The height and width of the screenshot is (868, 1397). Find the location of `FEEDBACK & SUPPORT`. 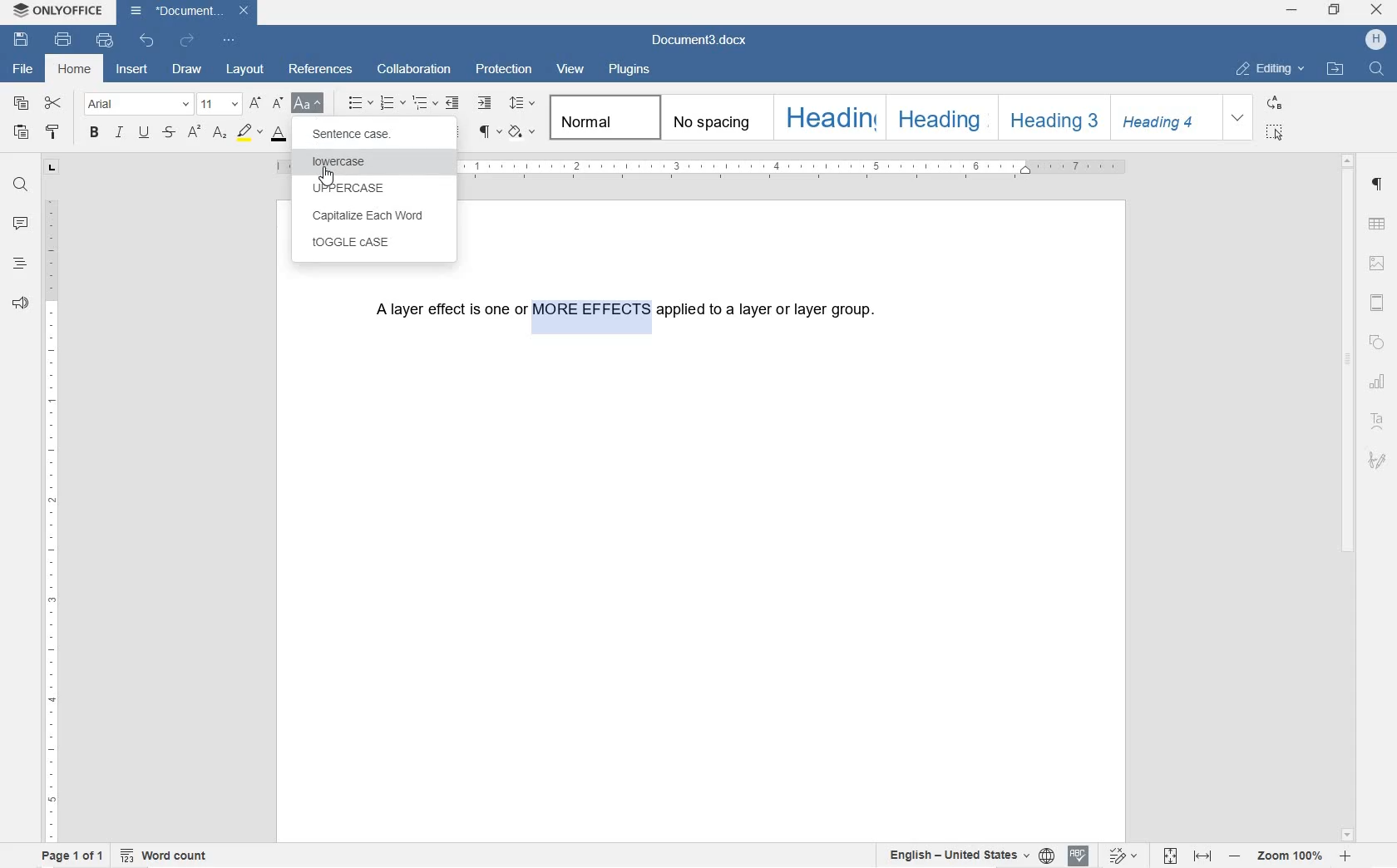

FEEDBACK & SUPPORT is located at coordinates (19, 304).